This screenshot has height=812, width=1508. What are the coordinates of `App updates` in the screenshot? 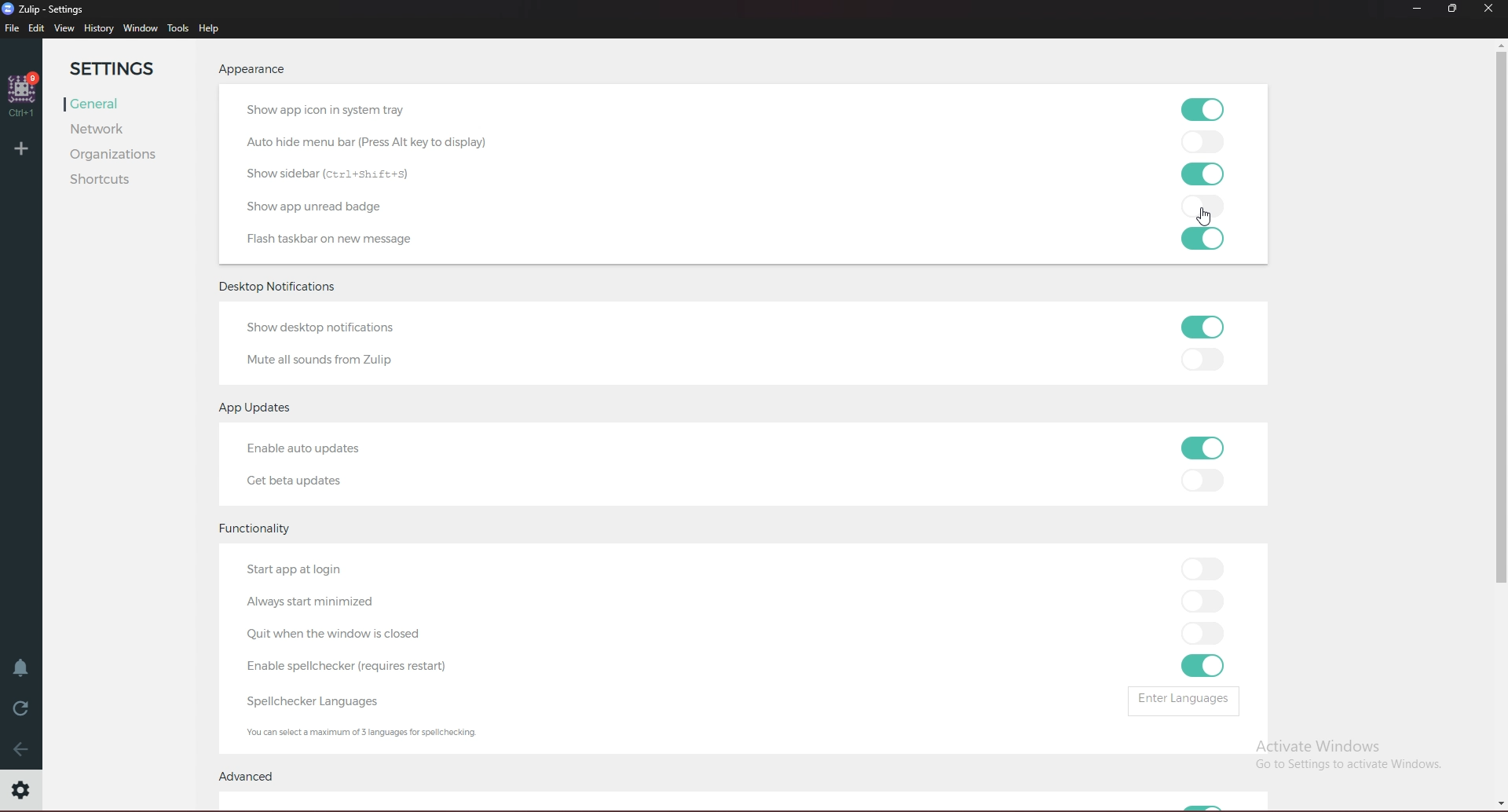 It's located at (262, 409).